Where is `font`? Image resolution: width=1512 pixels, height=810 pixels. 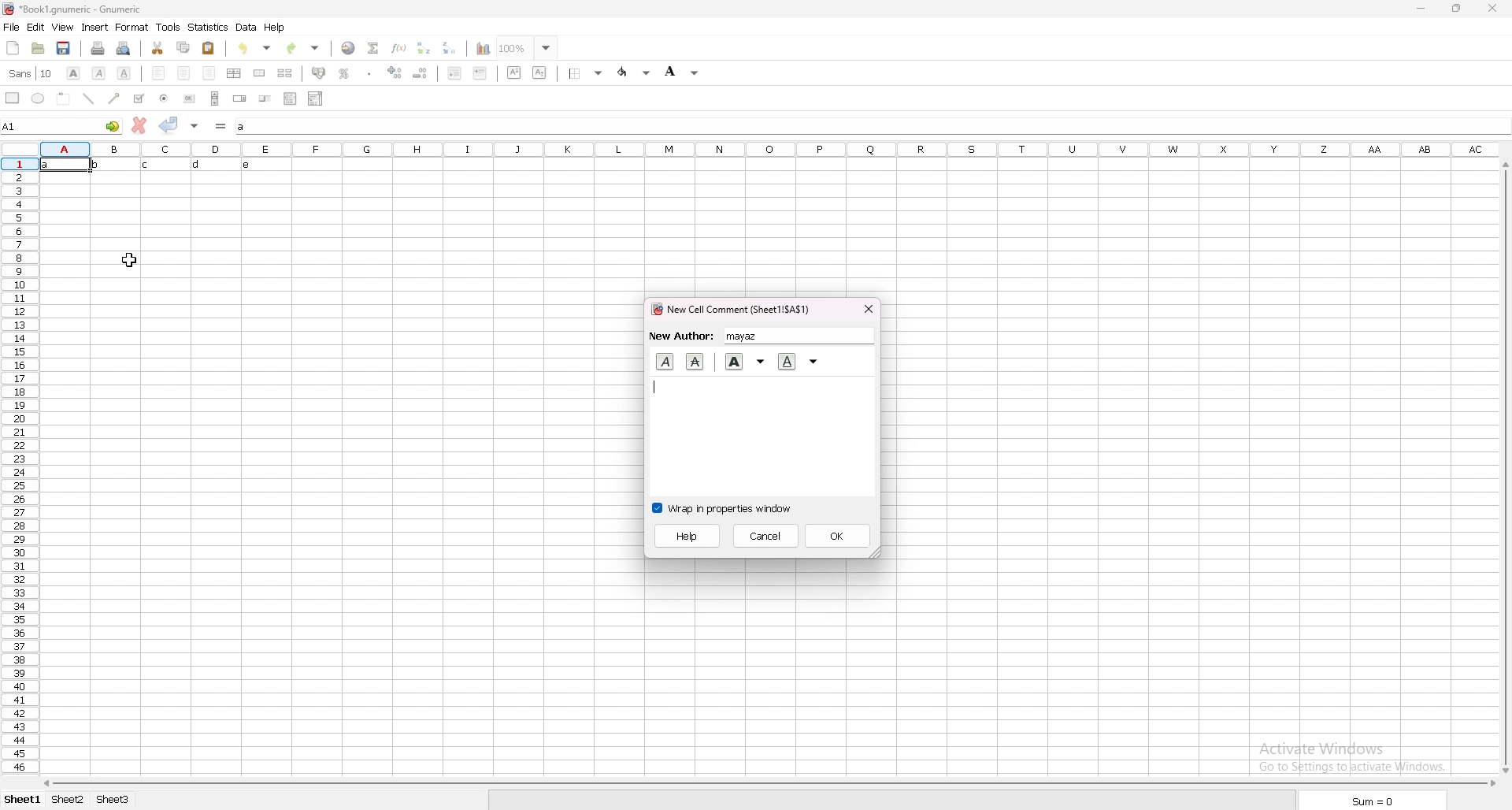 font is located at coordinates (31, 73).